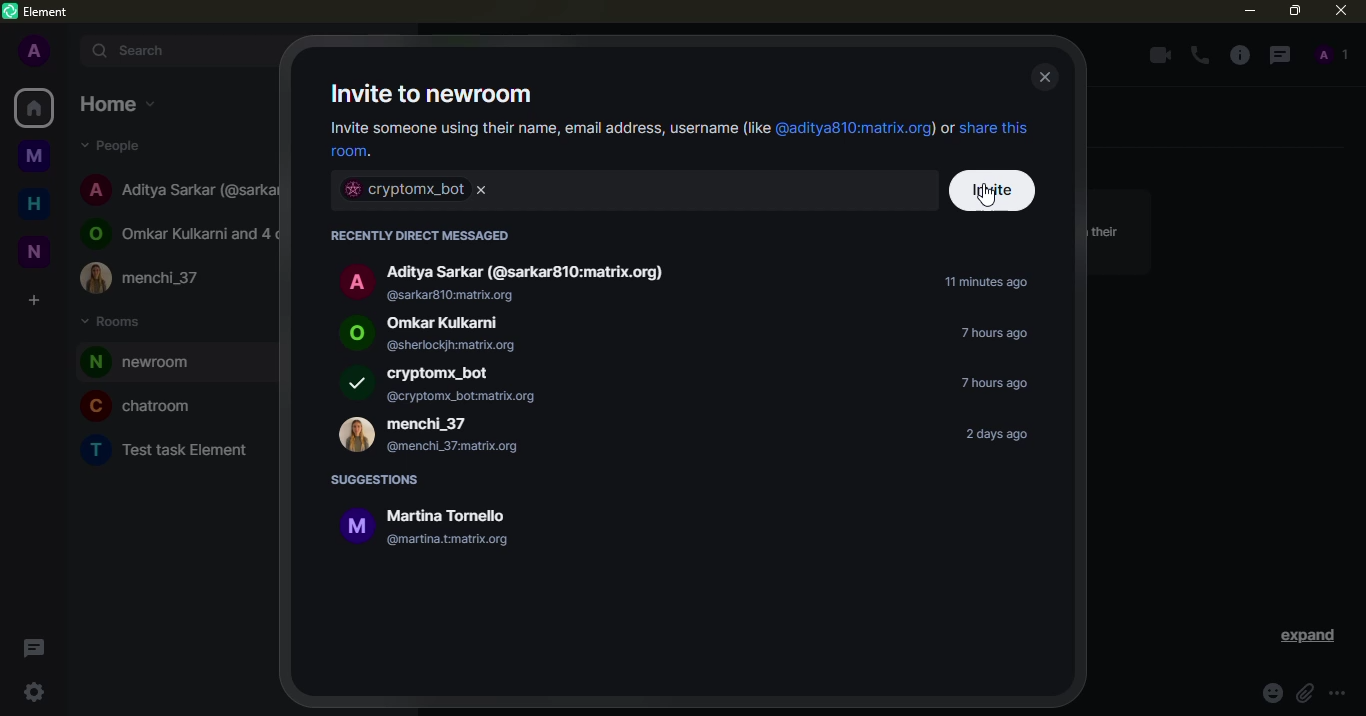 This screenshot has height=716, width=1366. What do you see at coordinates (1198, 55) in the screenshot?
I see `voice call` at bounding box center [1198, 55].